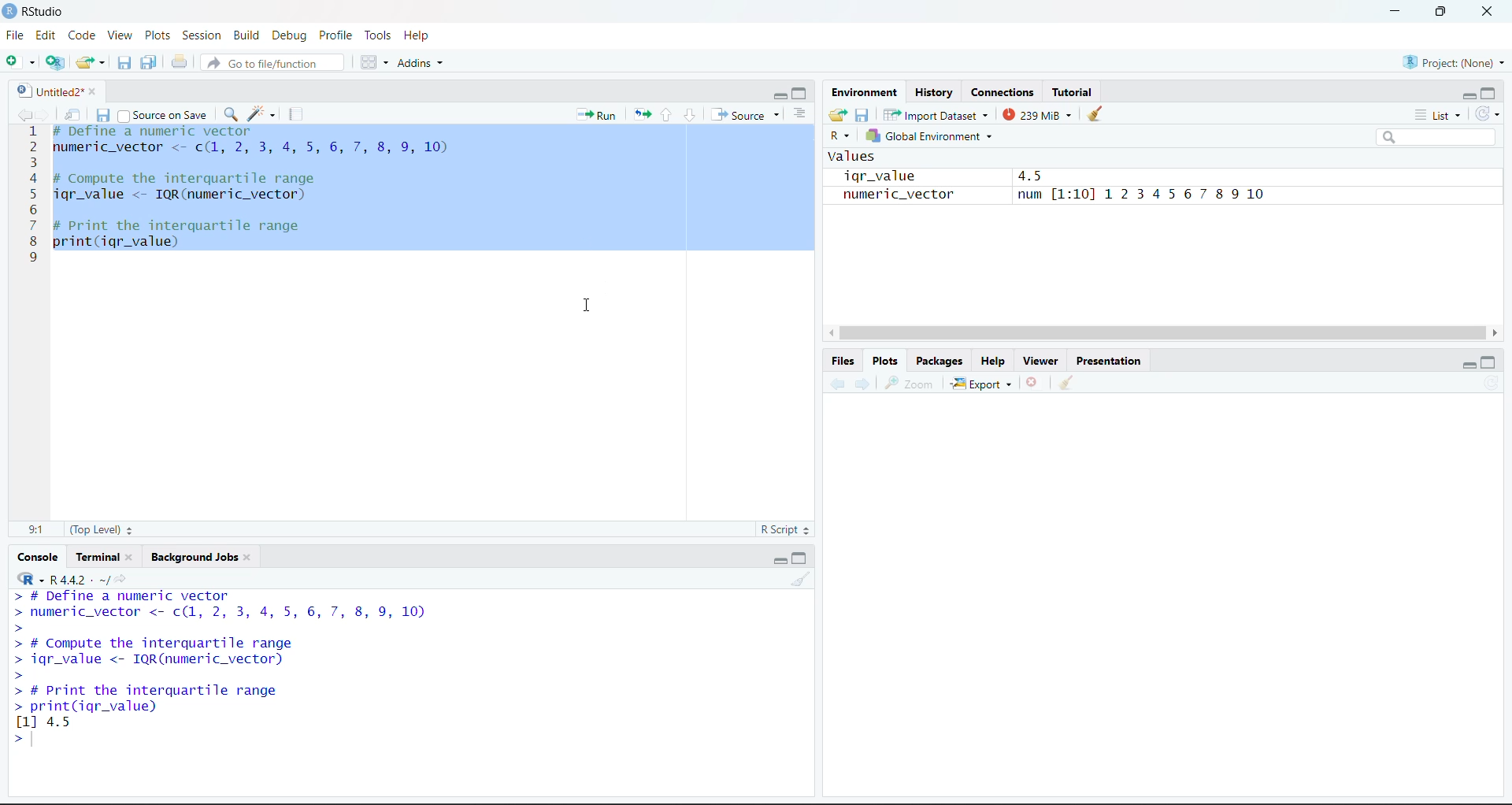 The height and width of the screenshot is (805, 1512). What do you see at coordinates (250, 34) in the screenshot?
I see `BUild` at bounding box center [250, 34].